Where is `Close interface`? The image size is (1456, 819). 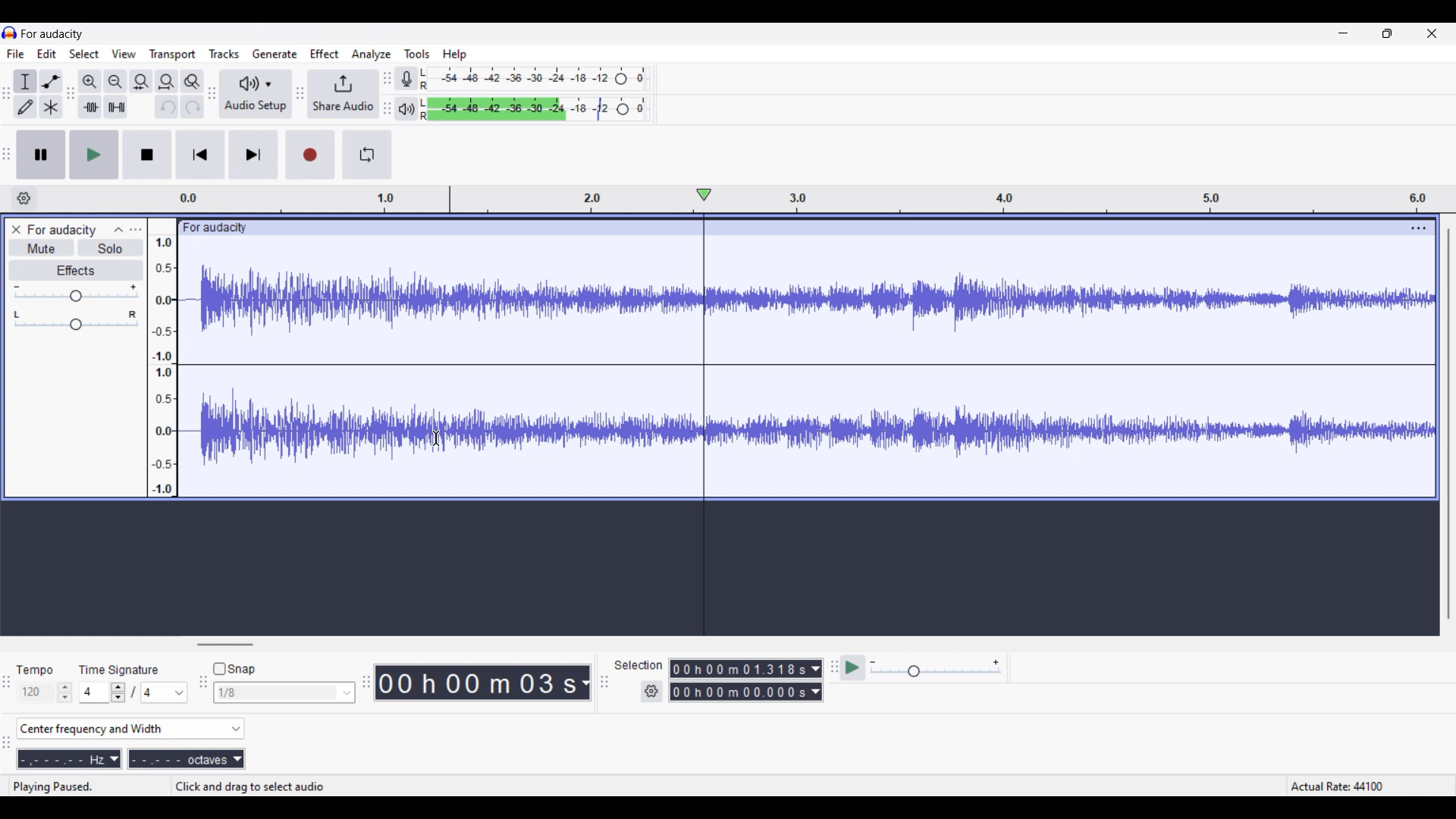 Close interface is located at coordinates (1432, 33).